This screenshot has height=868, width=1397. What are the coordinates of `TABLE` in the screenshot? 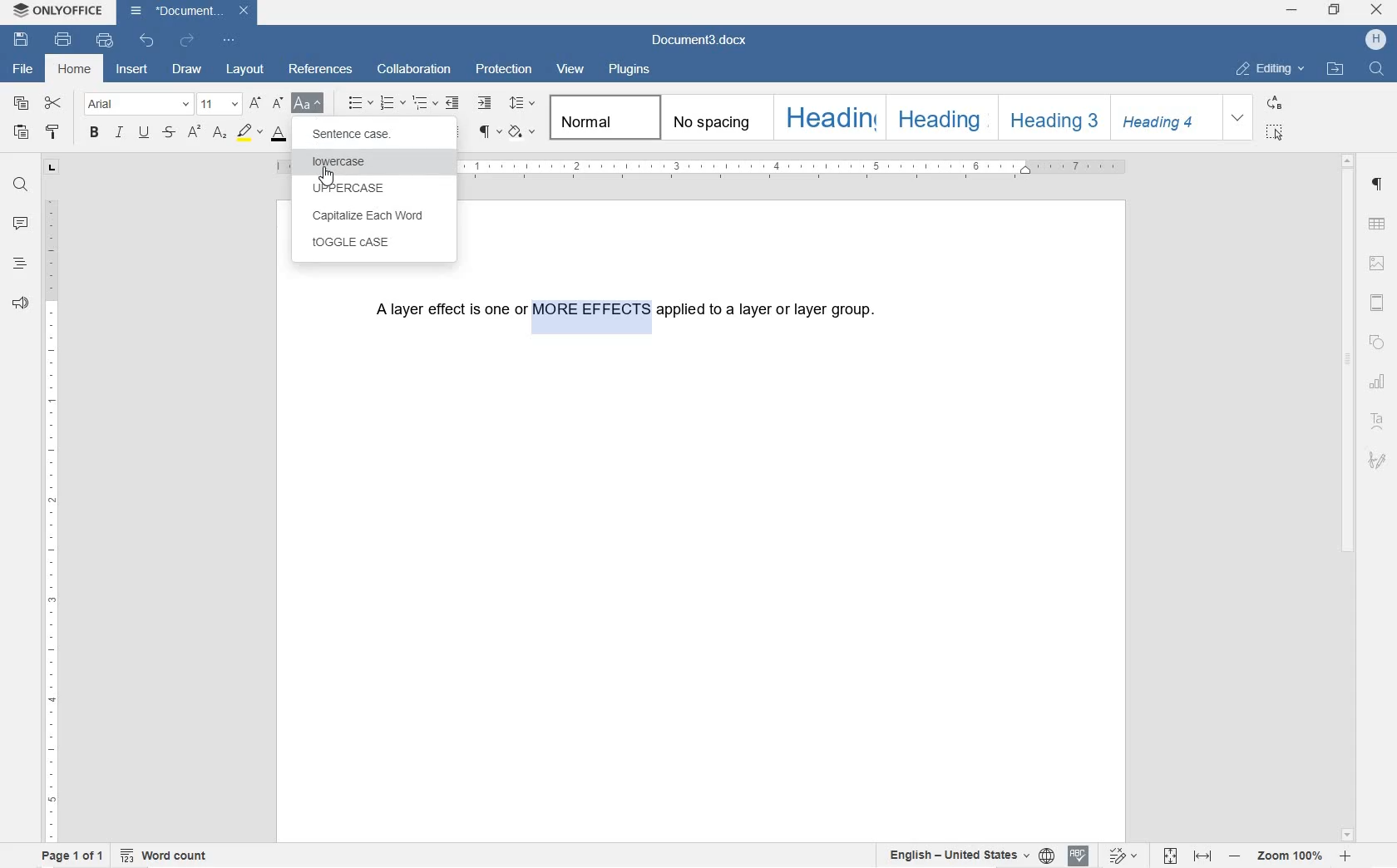 It's located at (1378, 225).